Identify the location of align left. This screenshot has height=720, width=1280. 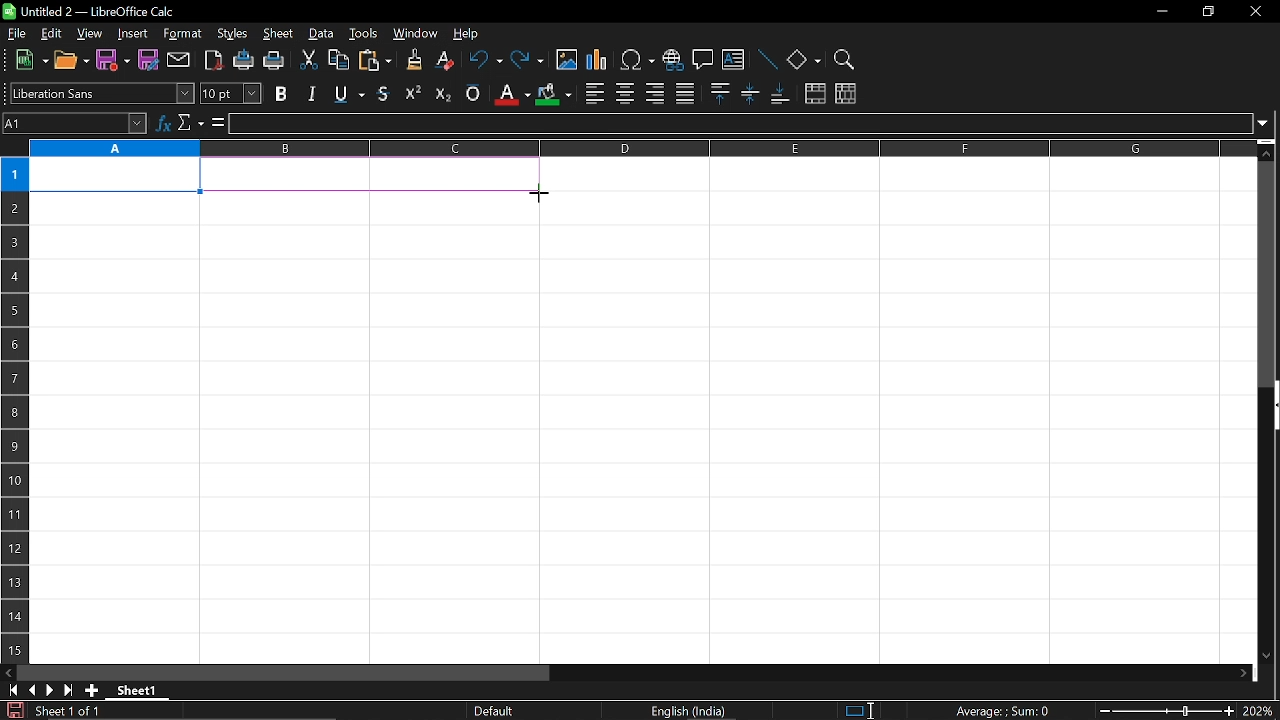
(594, 92).